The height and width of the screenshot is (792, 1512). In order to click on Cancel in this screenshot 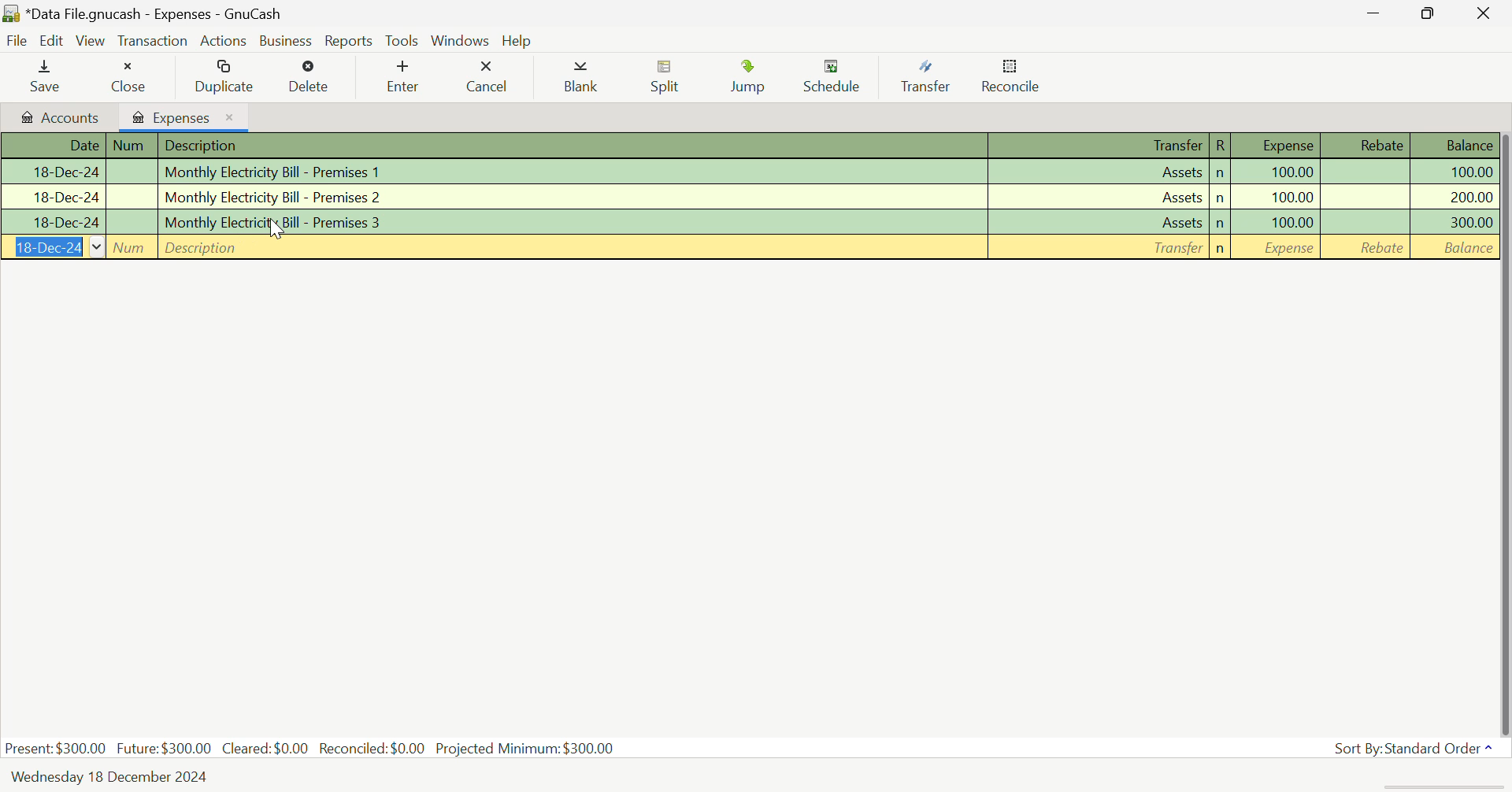, I will do `click(488, 77)`.